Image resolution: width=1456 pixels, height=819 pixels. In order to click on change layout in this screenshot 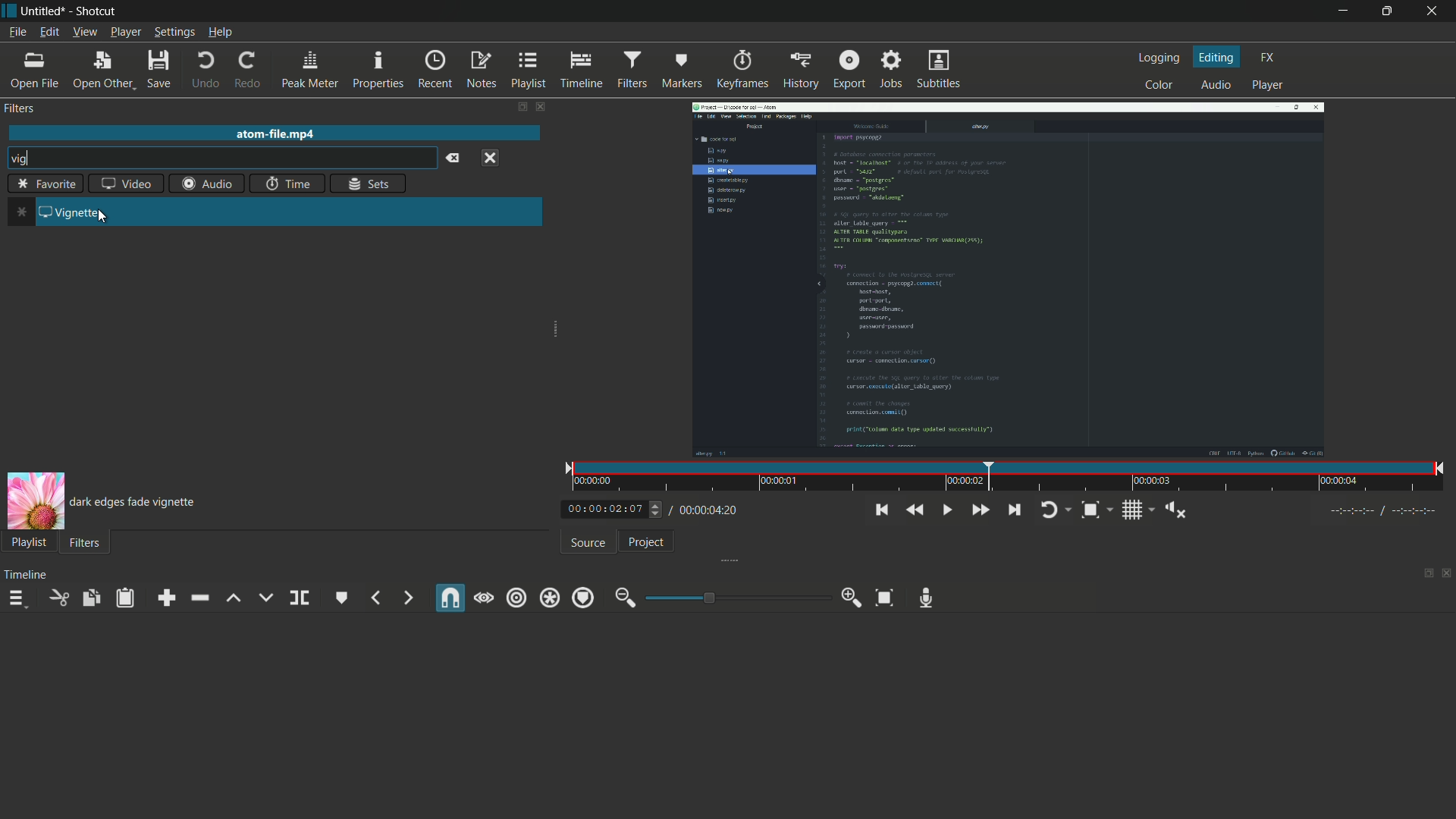, I will do `click(1423, 574)`.